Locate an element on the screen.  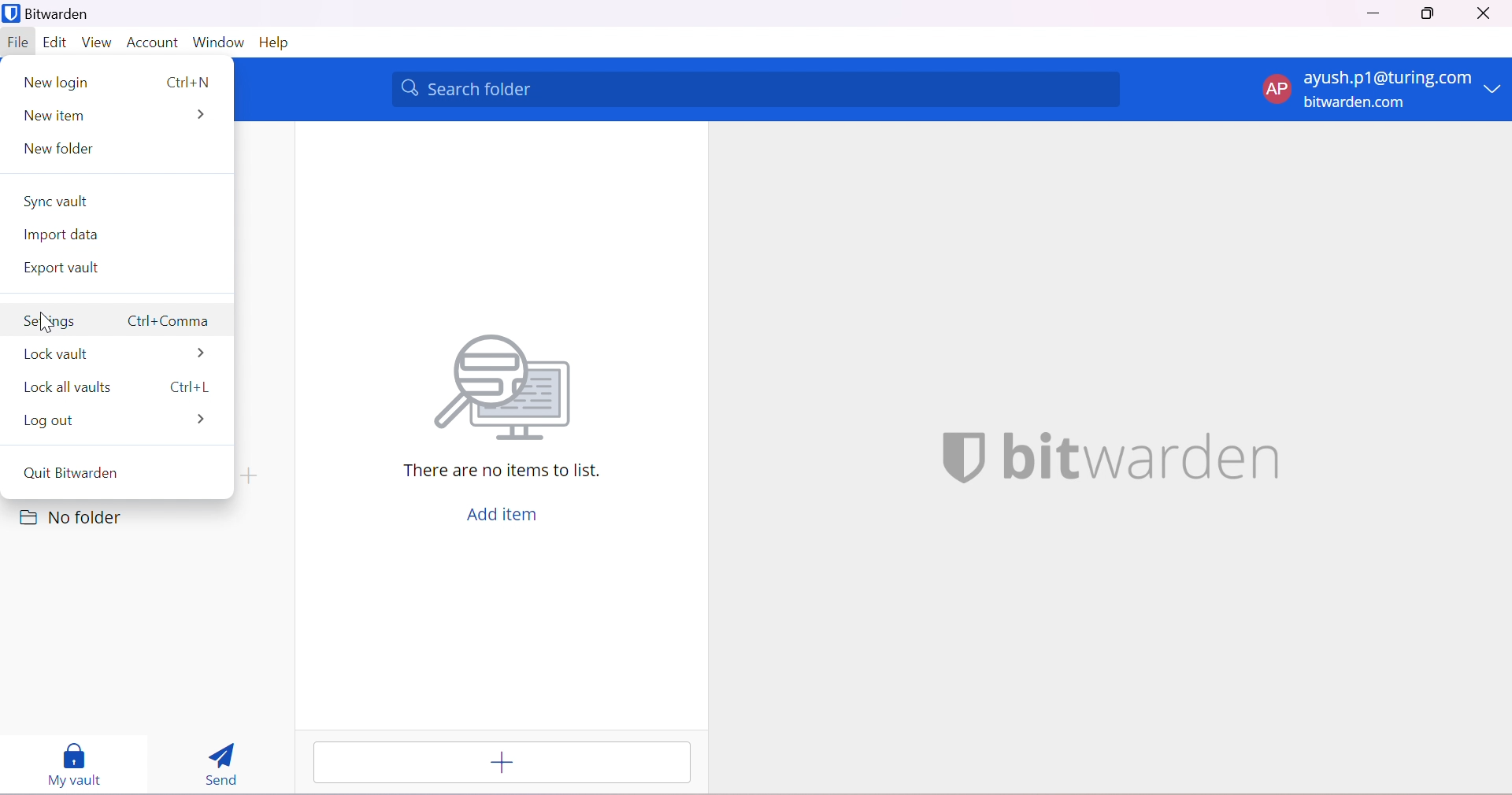
Local vault is located at coordinates (57, 356).